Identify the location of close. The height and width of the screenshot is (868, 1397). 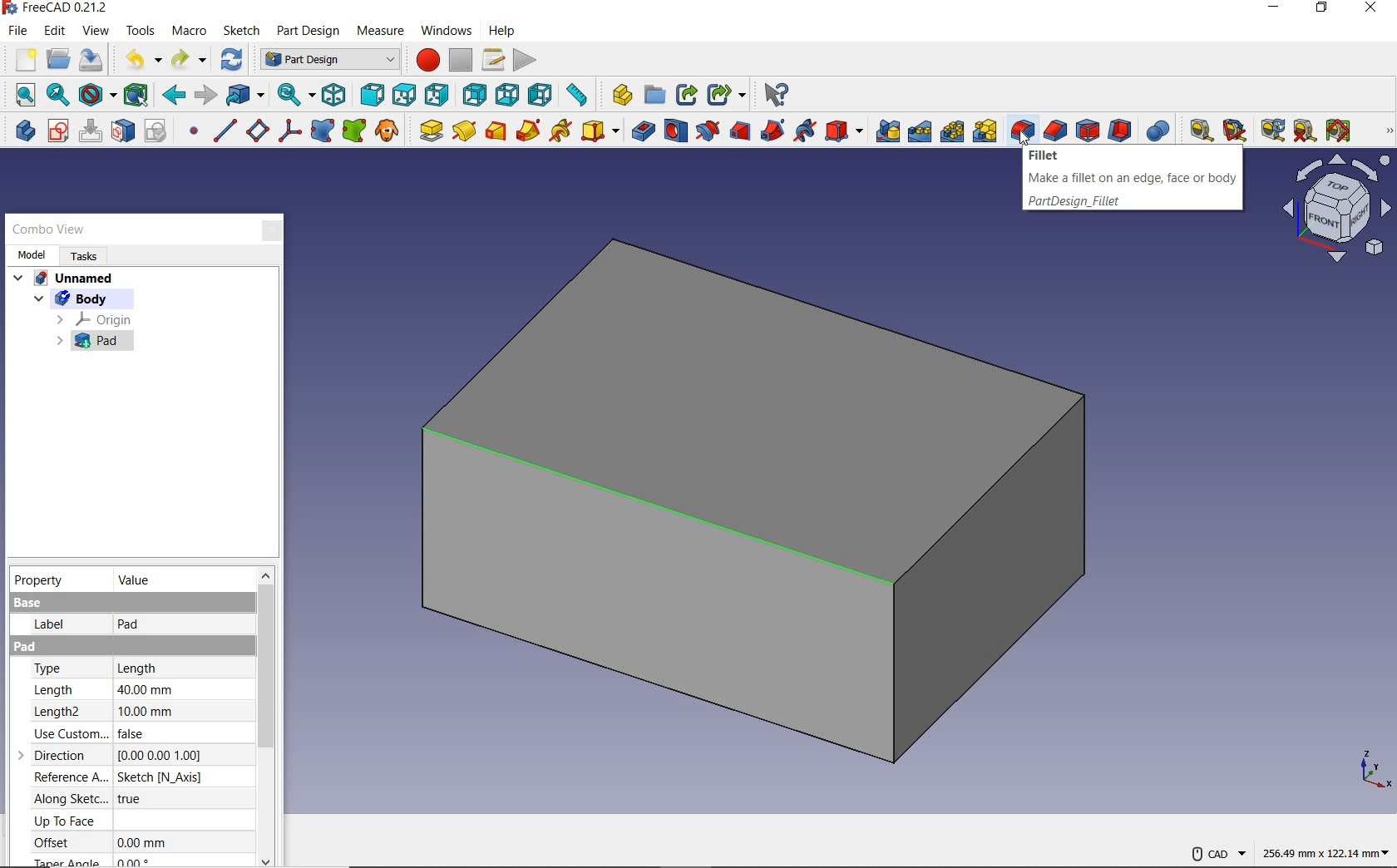
(1371, 7).